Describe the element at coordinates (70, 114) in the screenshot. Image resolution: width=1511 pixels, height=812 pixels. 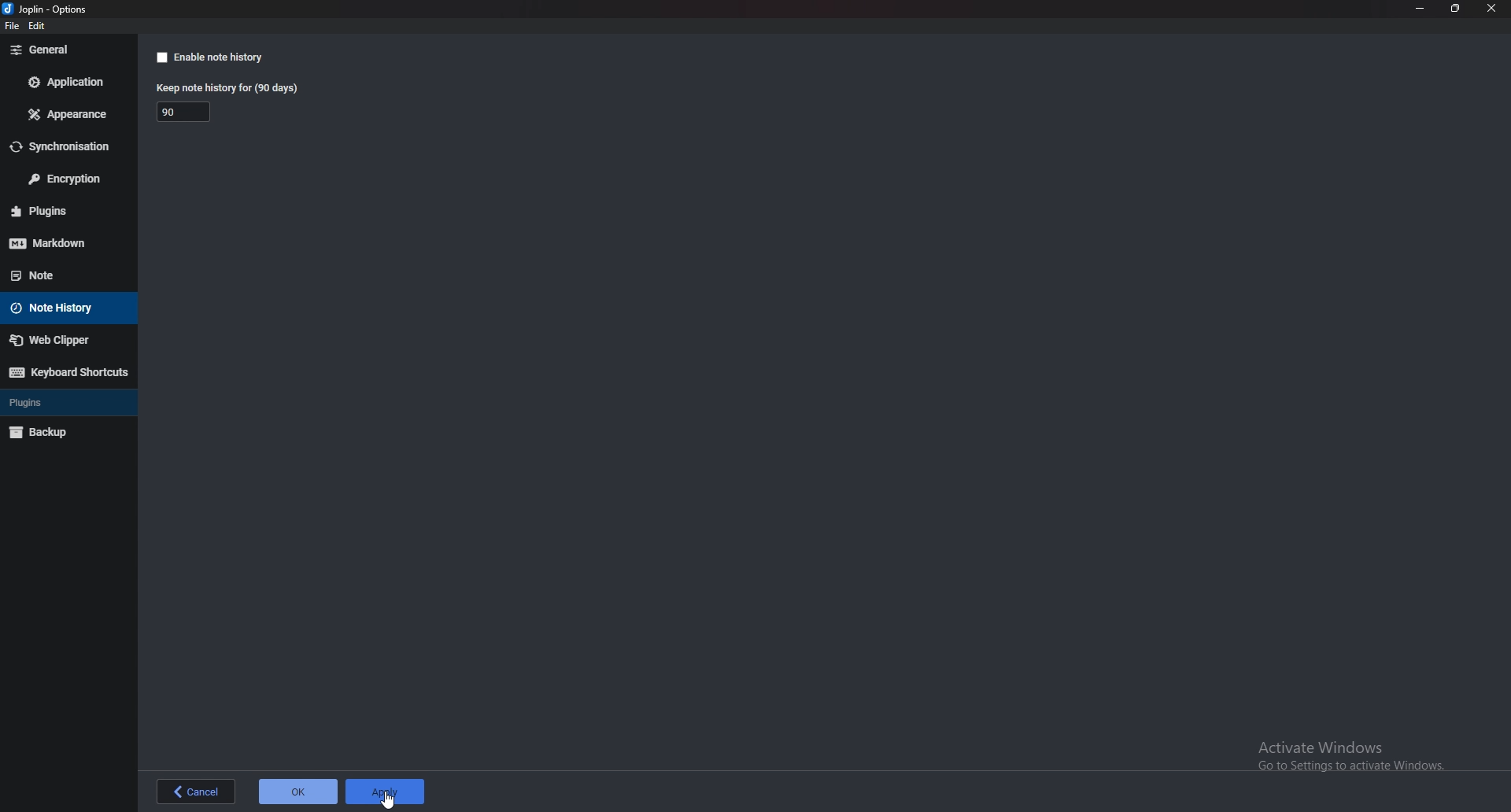
I see `Appearance` at that location.